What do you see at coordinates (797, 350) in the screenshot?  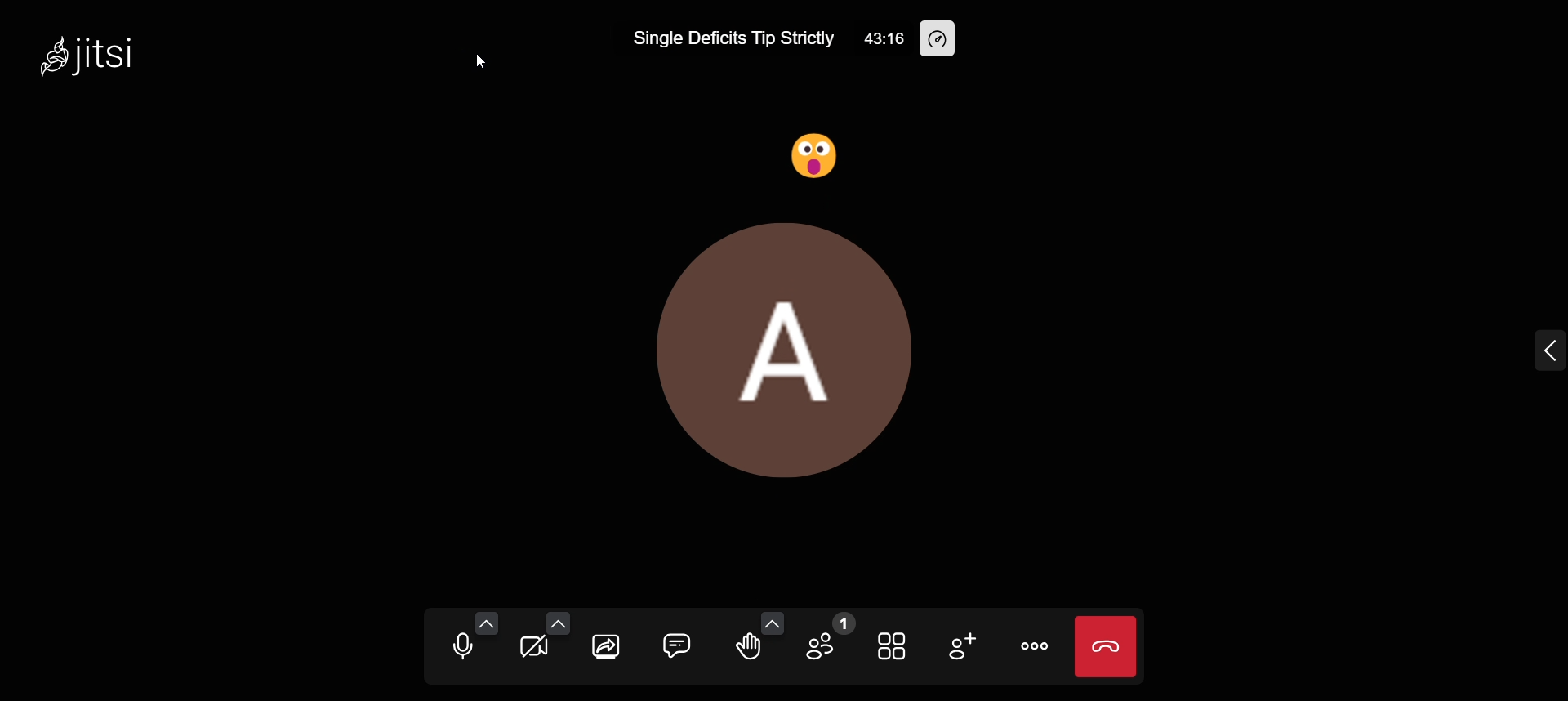 I see `display picture` at bounding box center [797, 350].